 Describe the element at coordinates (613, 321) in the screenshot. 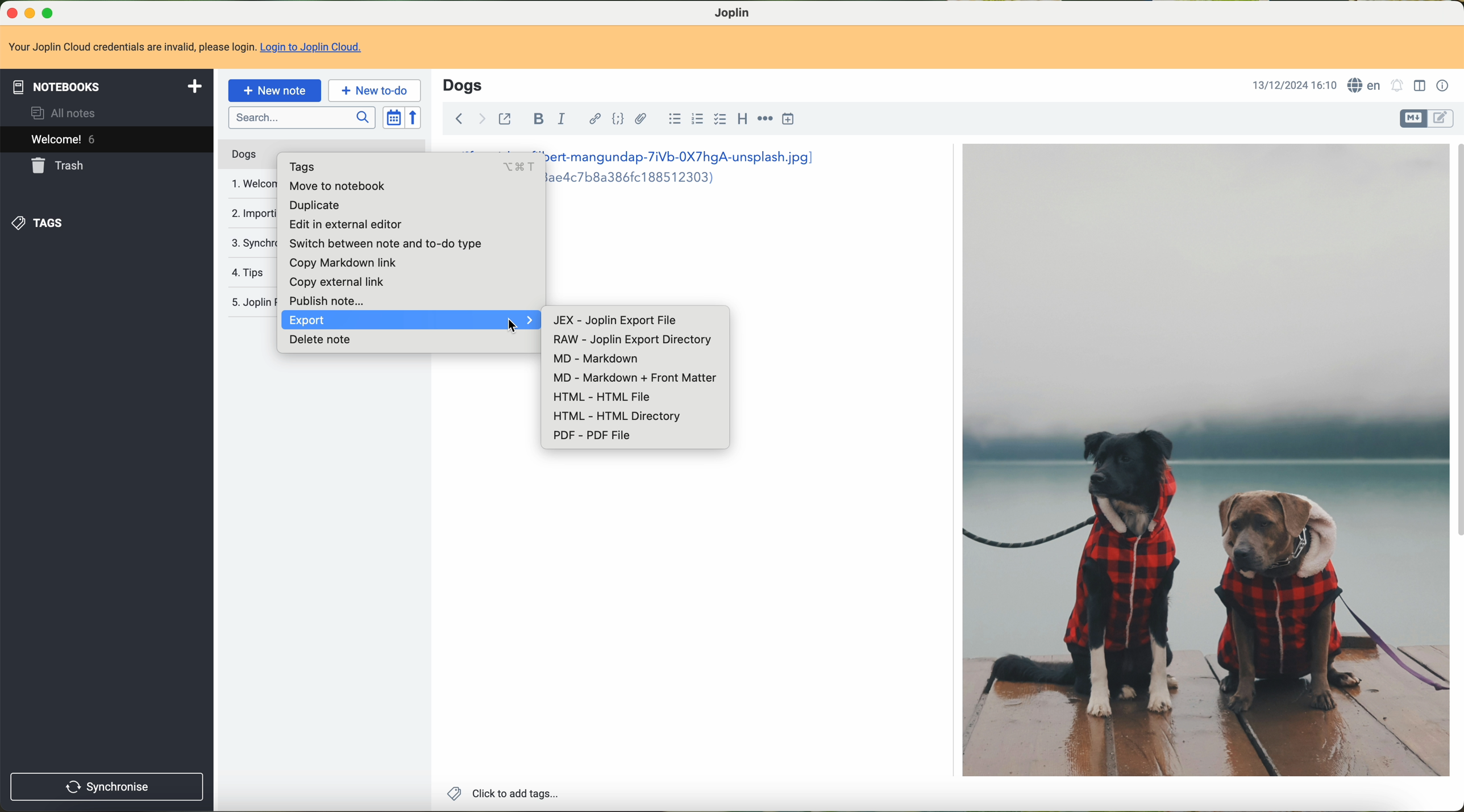

I see `JEX - Joplin Export file` at that location.